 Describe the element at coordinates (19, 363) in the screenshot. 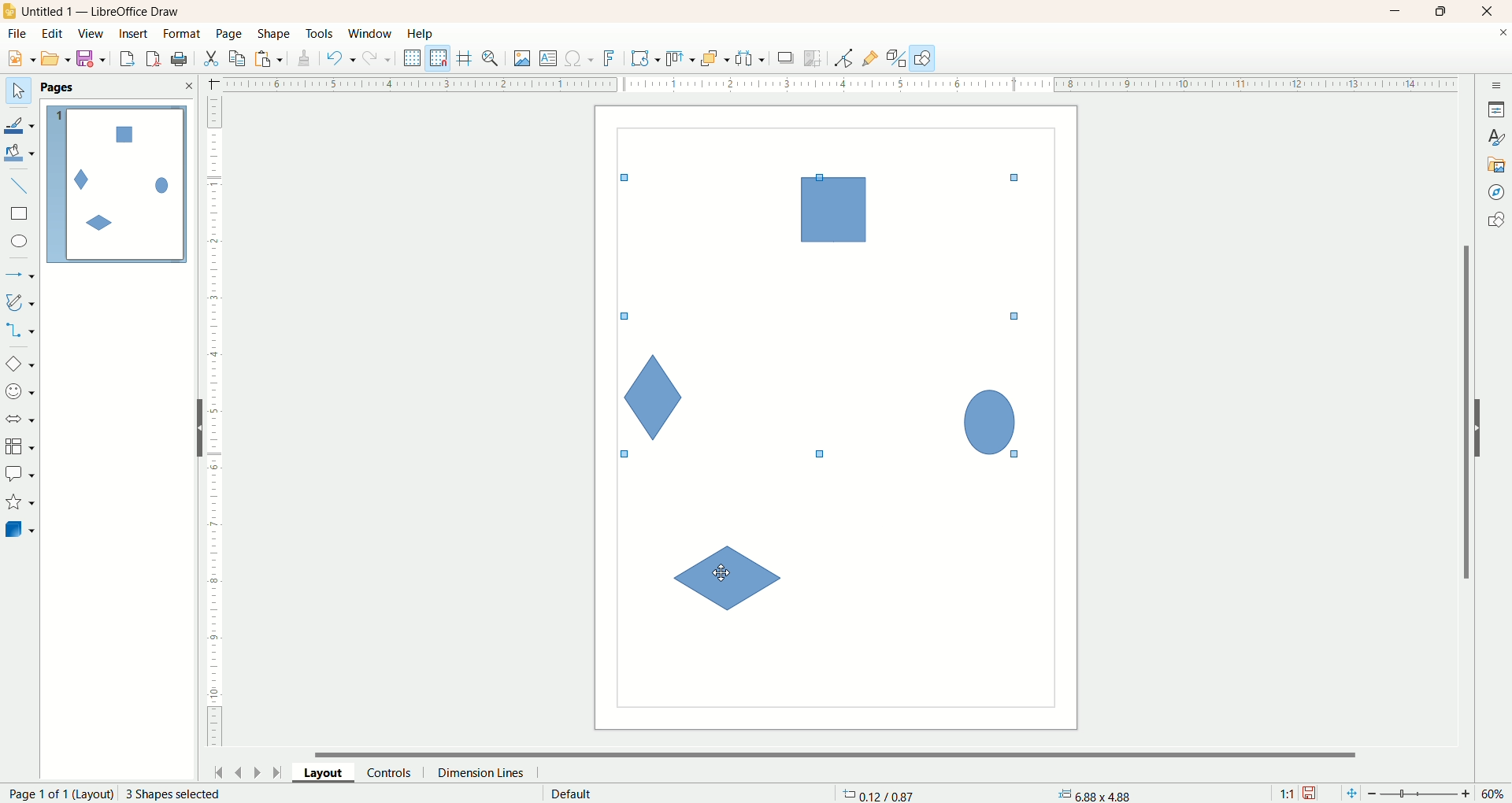

I see `basic shape` at that location.